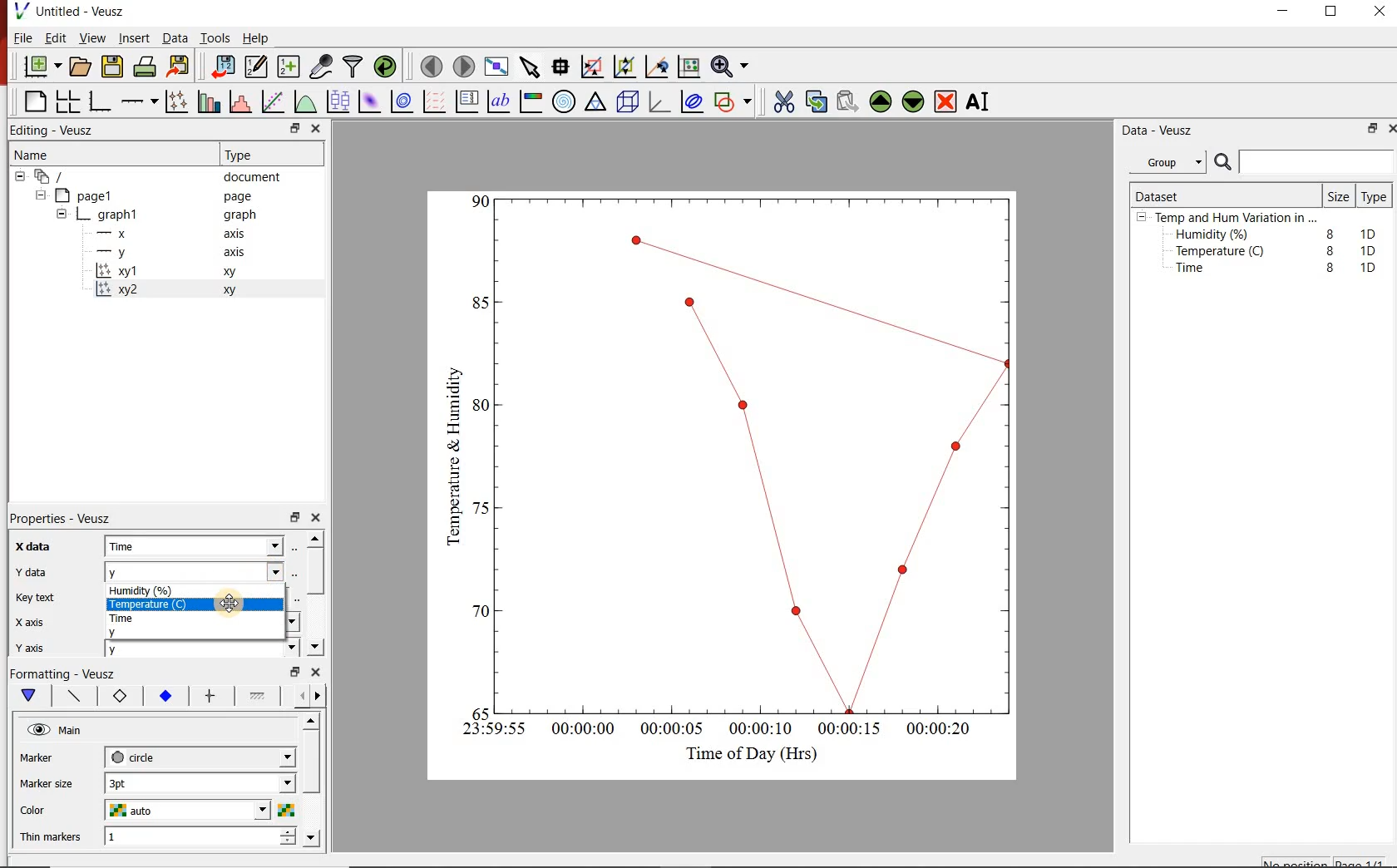  Describe the element at coordinates (126, 271) in the screenshot. I see `xy1` at that location.